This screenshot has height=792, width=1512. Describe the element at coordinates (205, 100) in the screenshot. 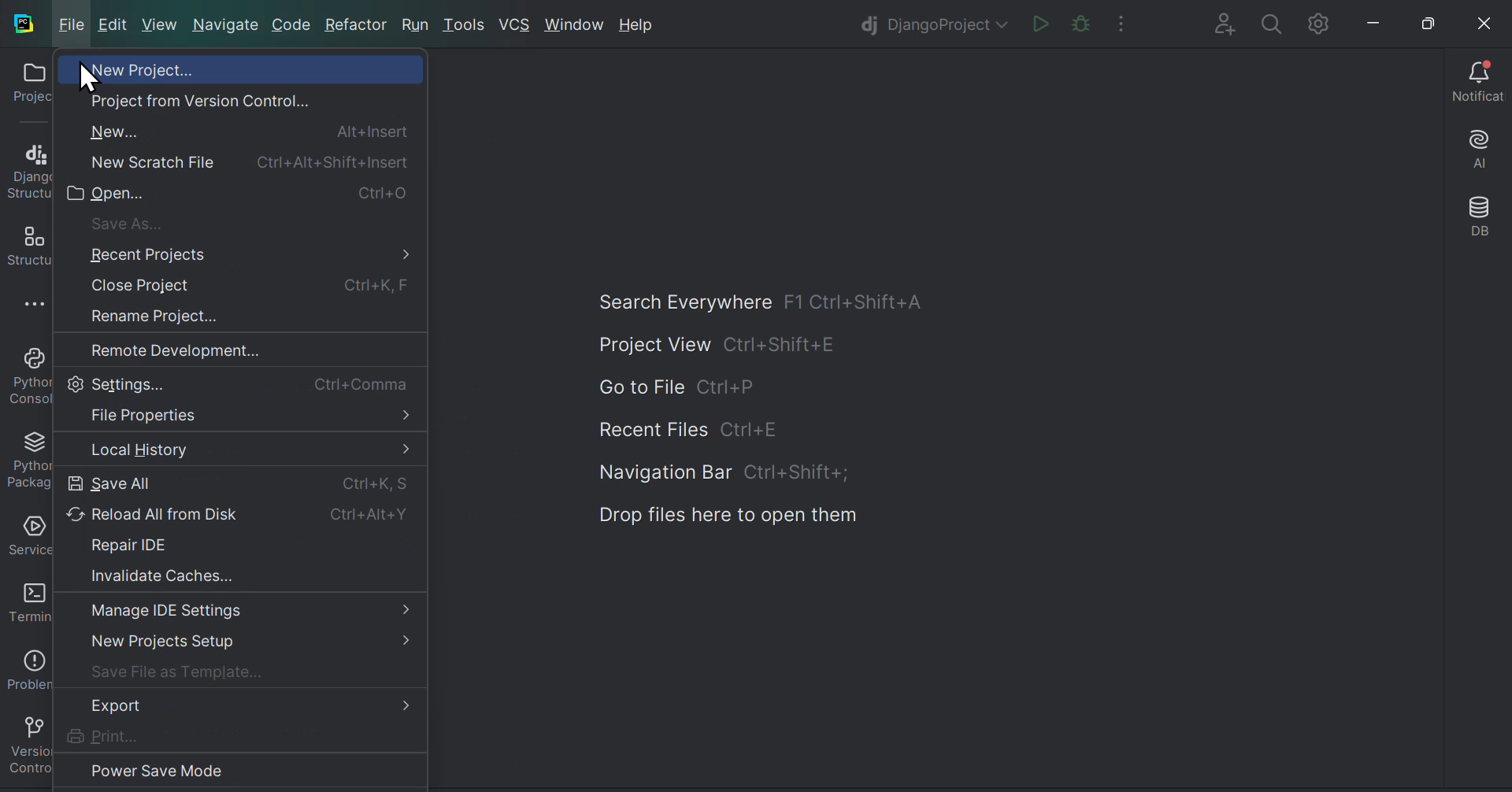

I see `Project from Version Control` at that location.